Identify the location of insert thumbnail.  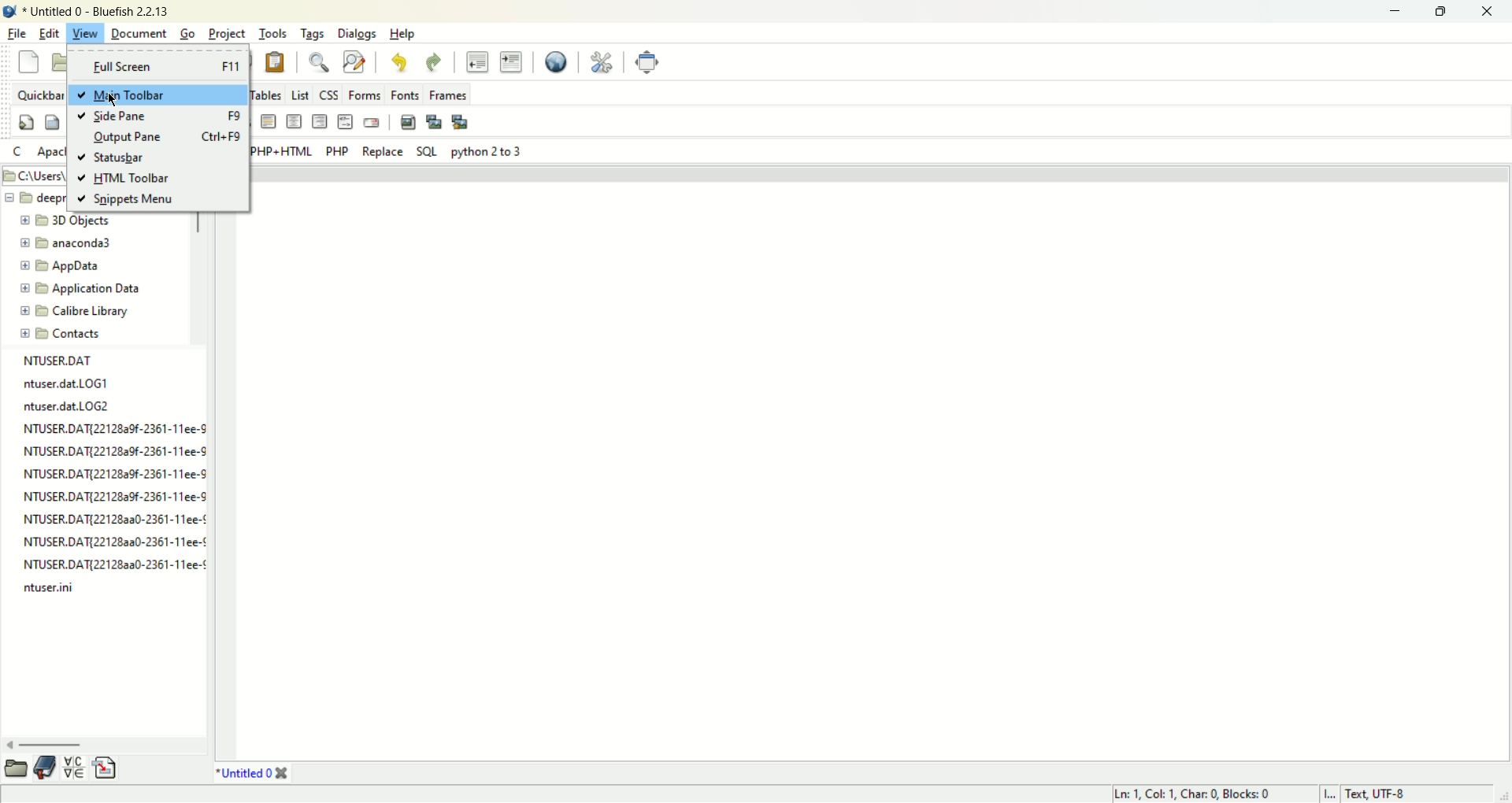
(434, 121).